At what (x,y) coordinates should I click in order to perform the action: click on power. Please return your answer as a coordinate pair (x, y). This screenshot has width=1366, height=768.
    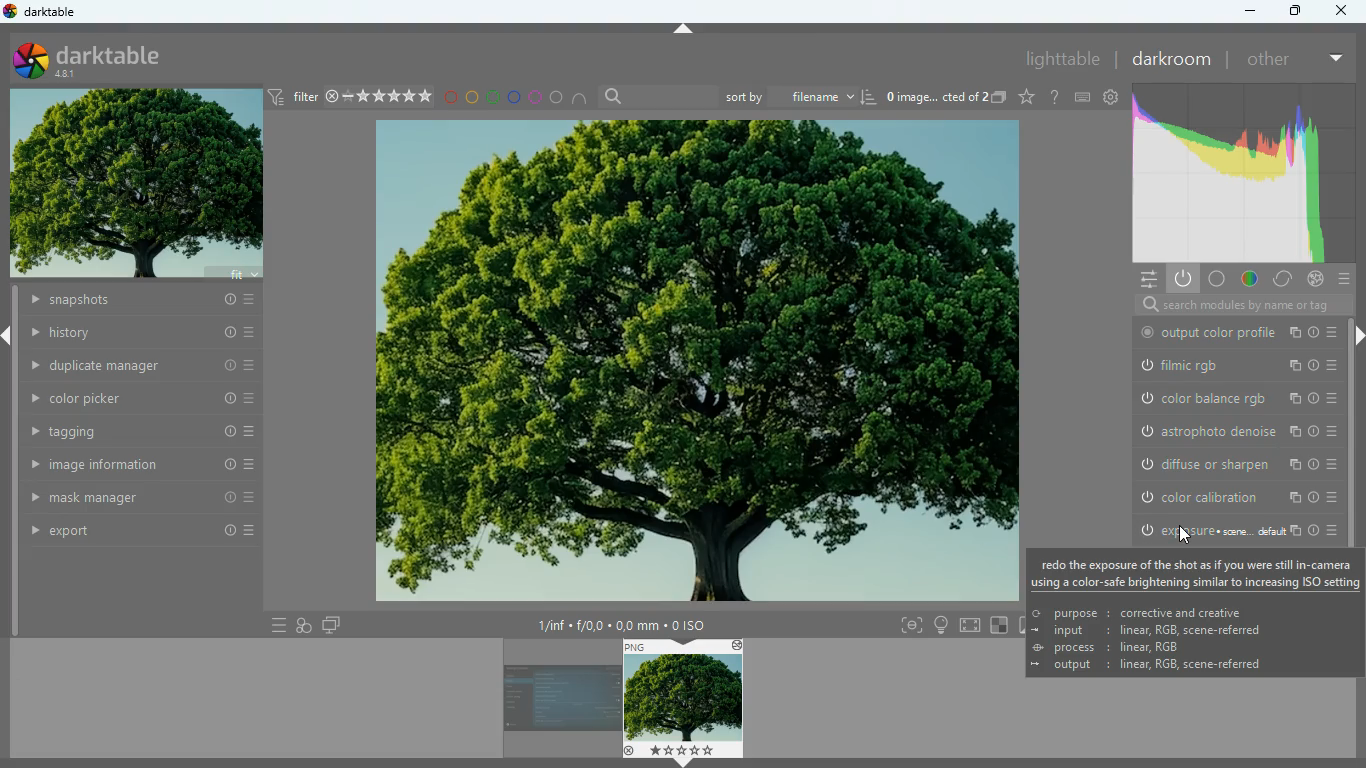
    Looking at the image, I should click on (1184, 278).